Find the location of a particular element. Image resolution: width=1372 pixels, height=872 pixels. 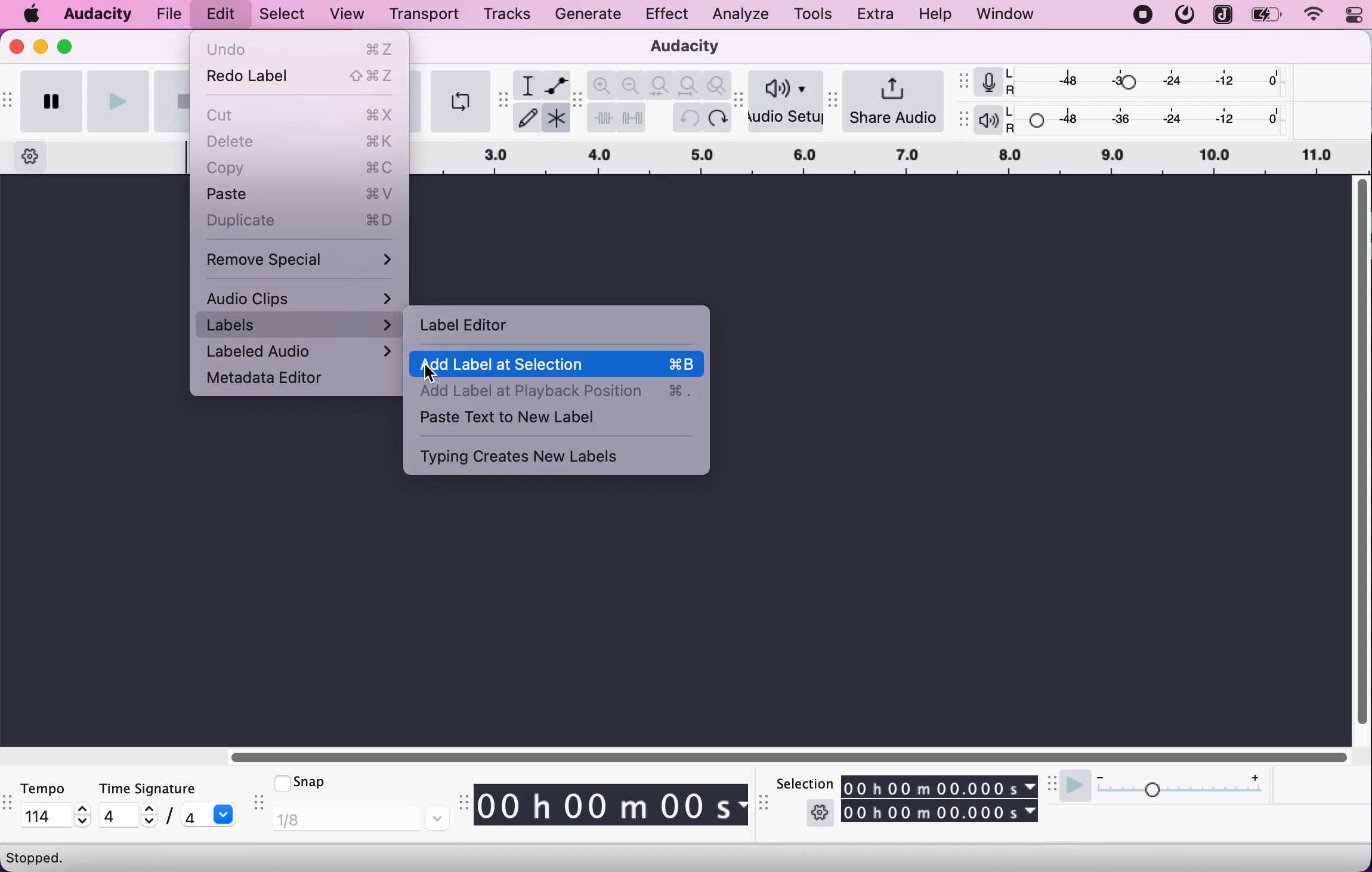

enable looping is located at coordinates (459, 101).